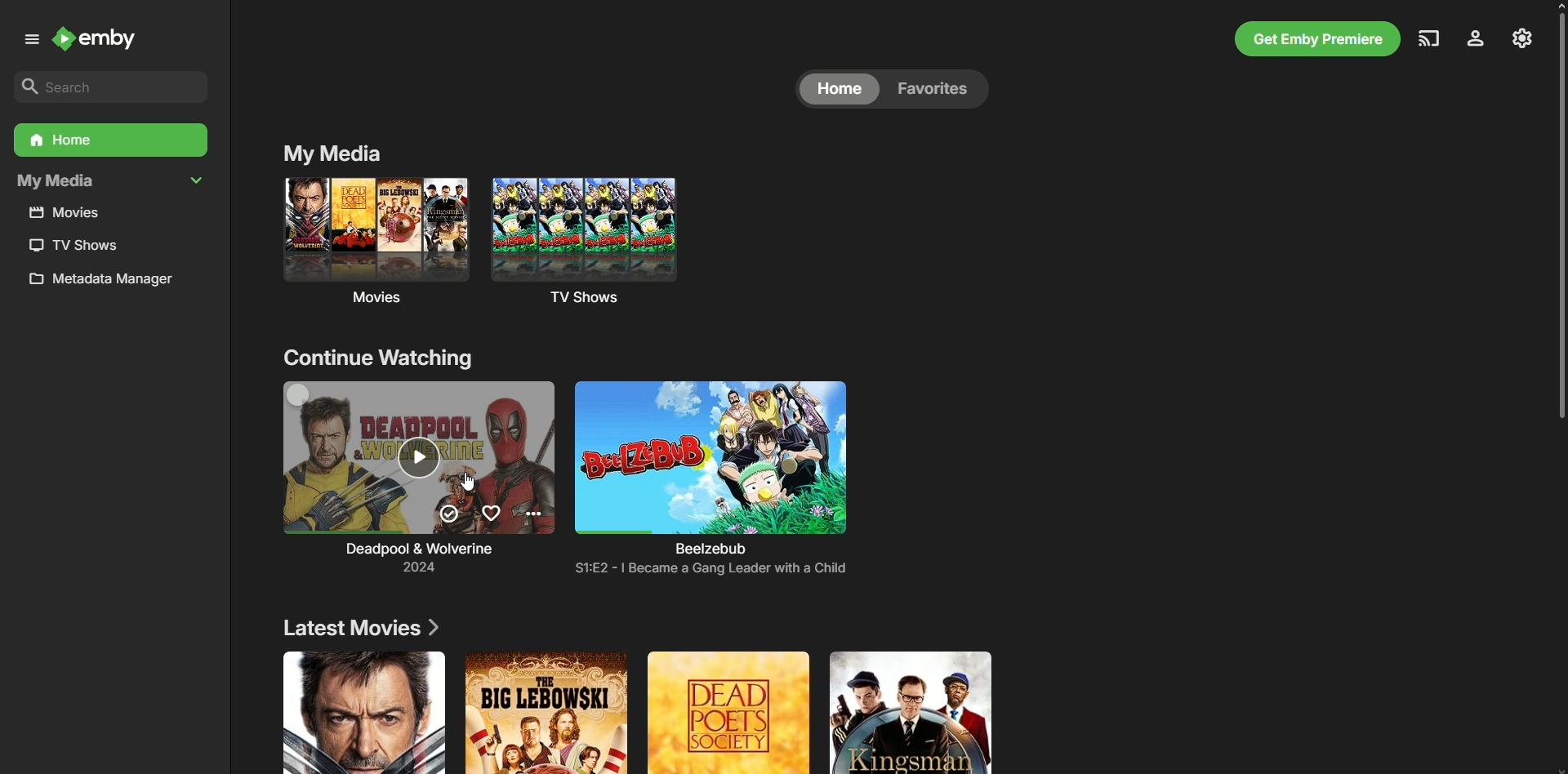  What do you see at coordinates (105, 42) in the screenshot?
I see `Emby` at bounding box center [105, 42].